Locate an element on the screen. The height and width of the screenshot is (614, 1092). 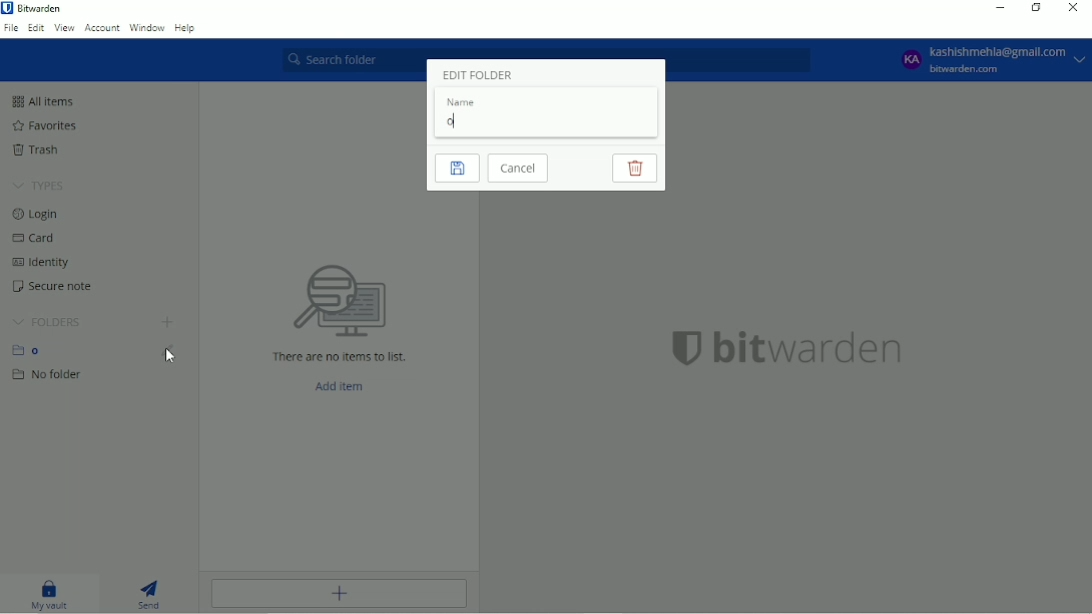
Bitwarden is located at coordinates (36, 8).